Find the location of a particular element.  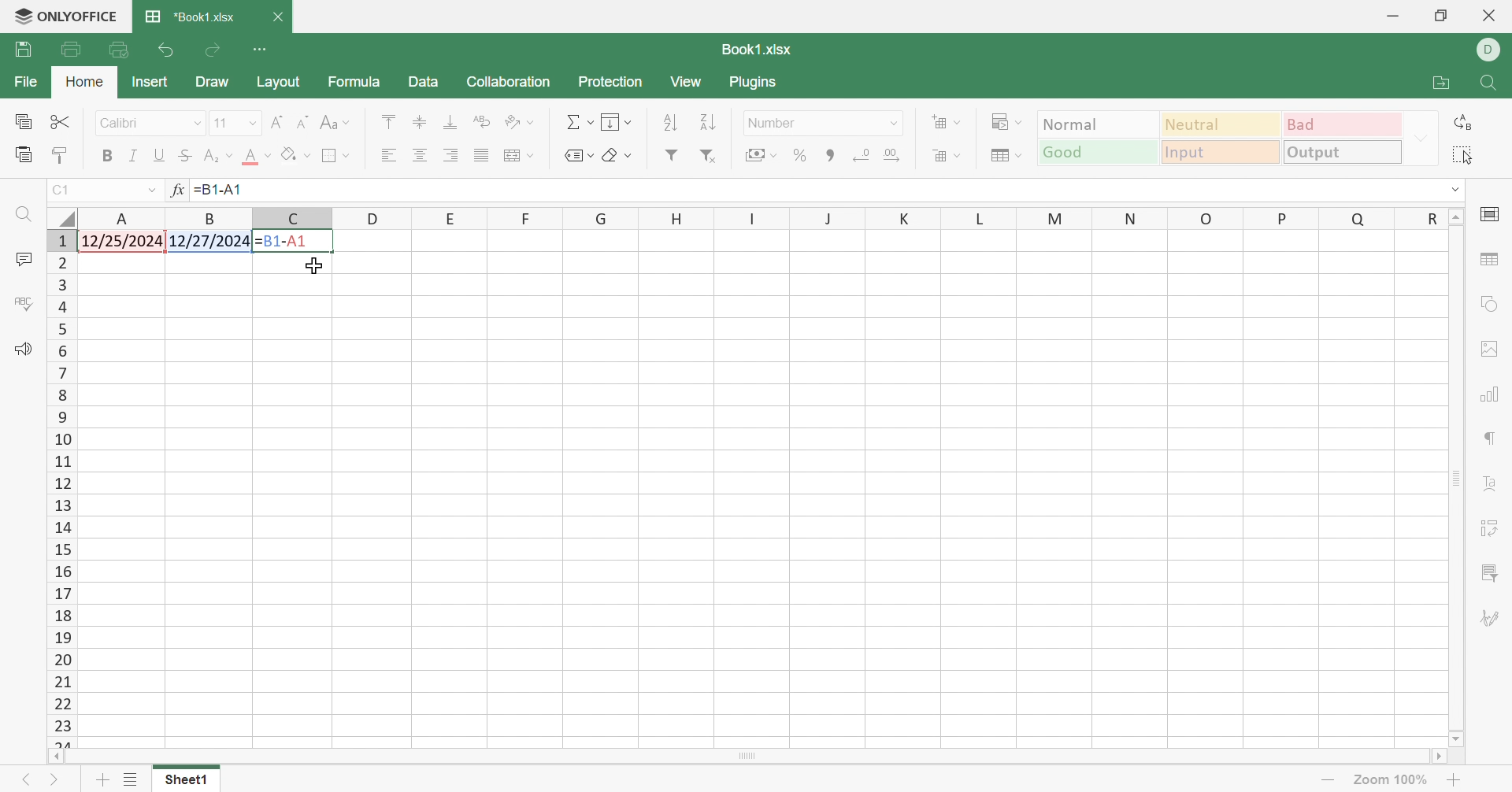

Calibri is located at coordinates (125, 124).